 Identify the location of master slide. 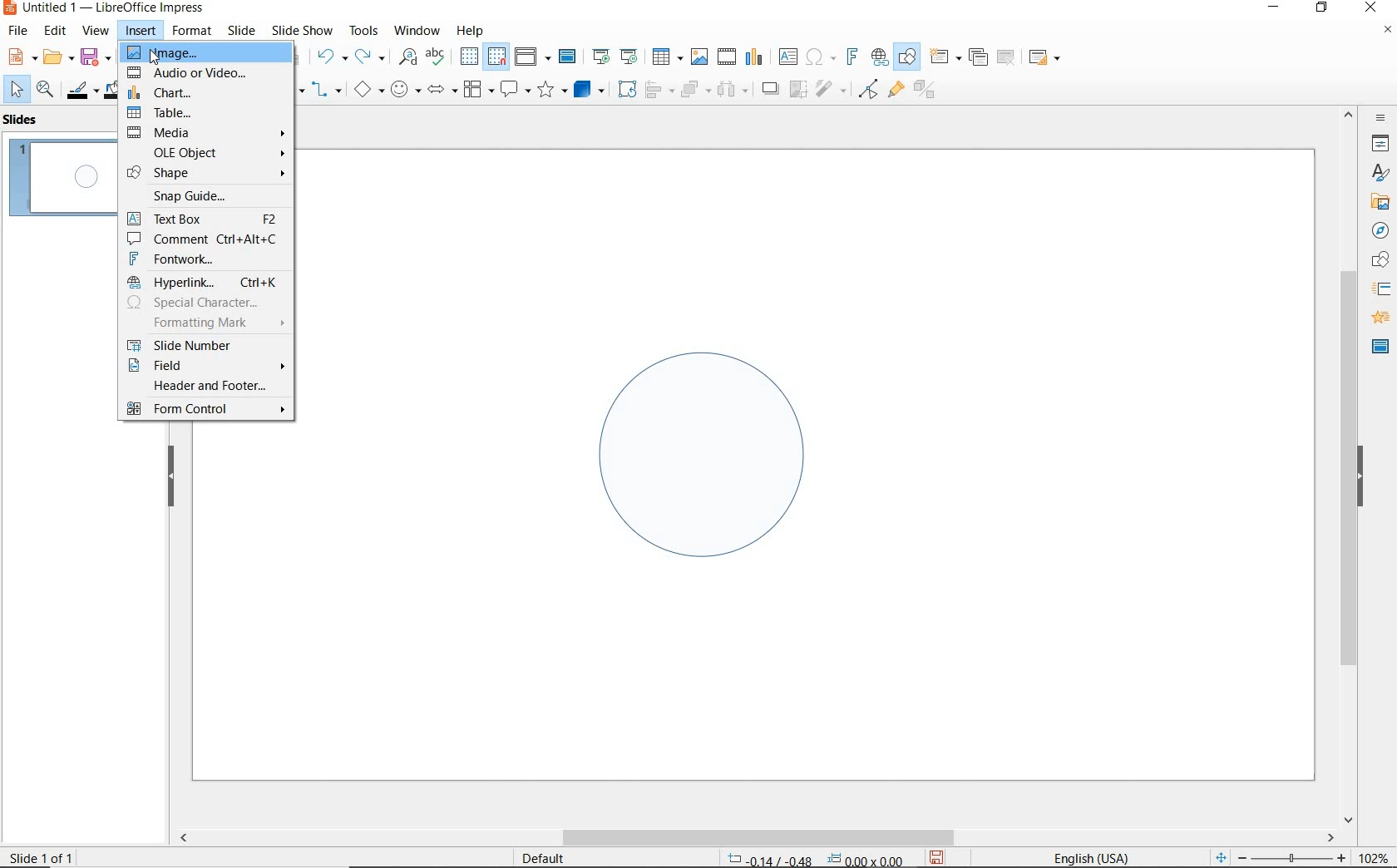
(570, 57).